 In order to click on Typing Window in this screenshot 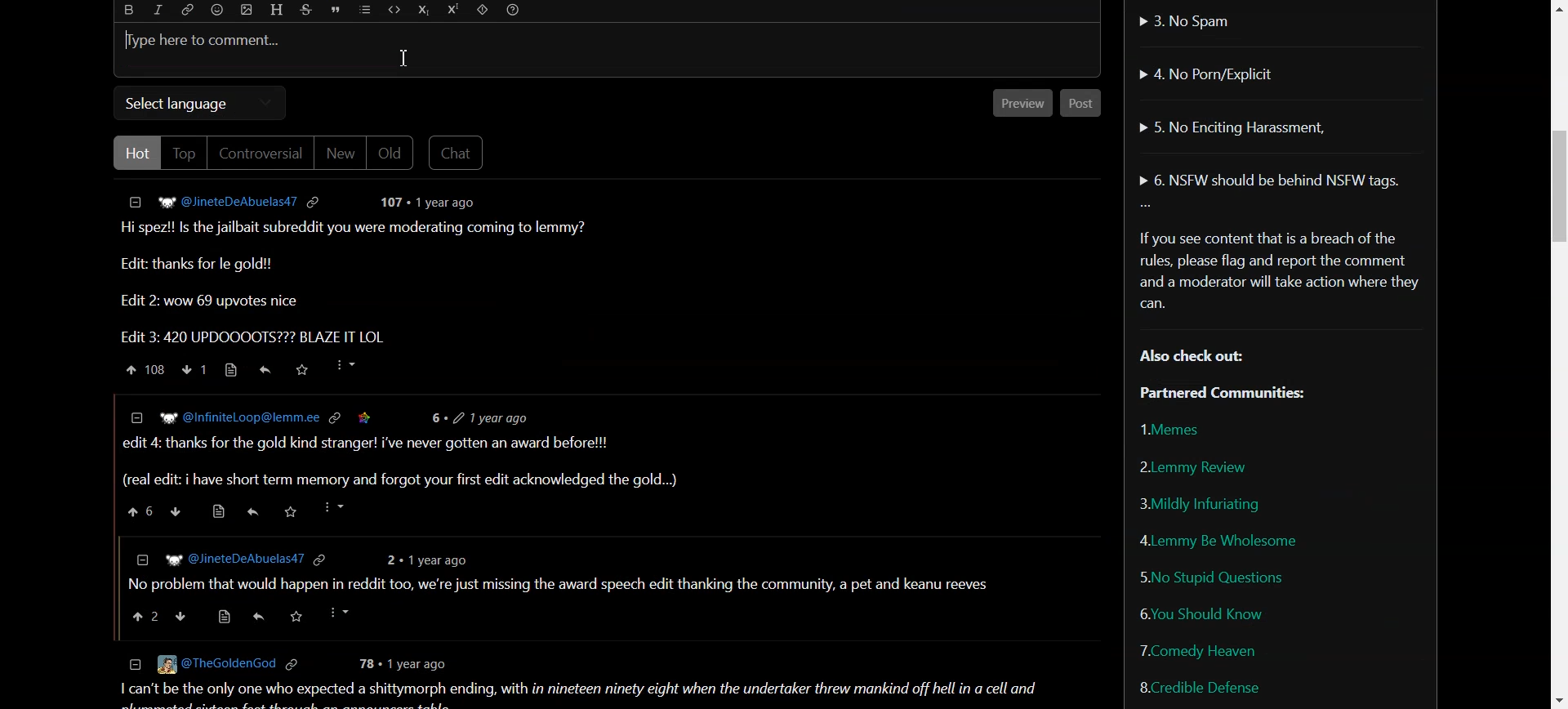, I will do `click(608, 53)`.